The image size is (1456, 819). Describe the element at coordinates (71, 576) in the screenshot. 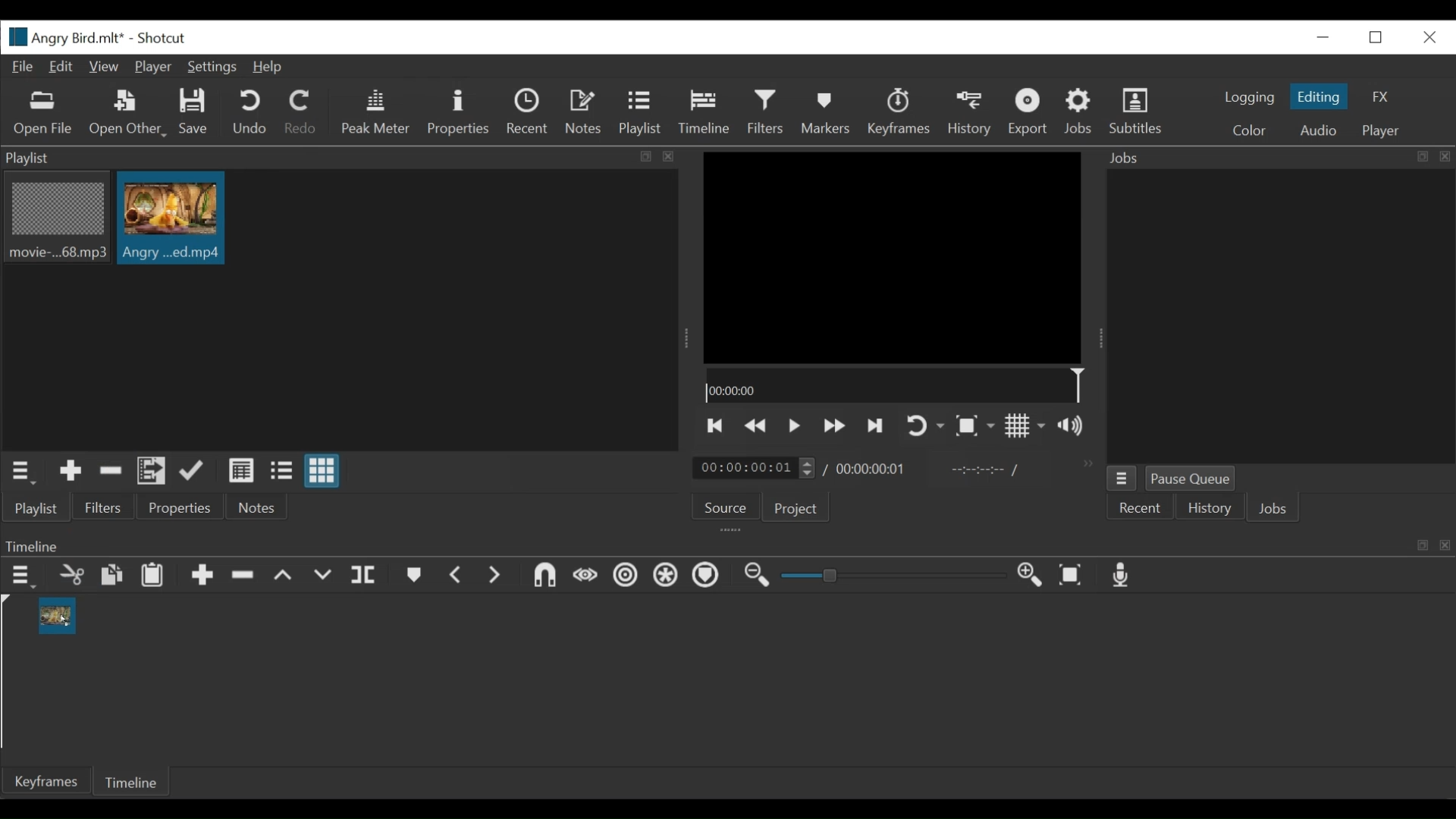

I see `Cut` at that location.